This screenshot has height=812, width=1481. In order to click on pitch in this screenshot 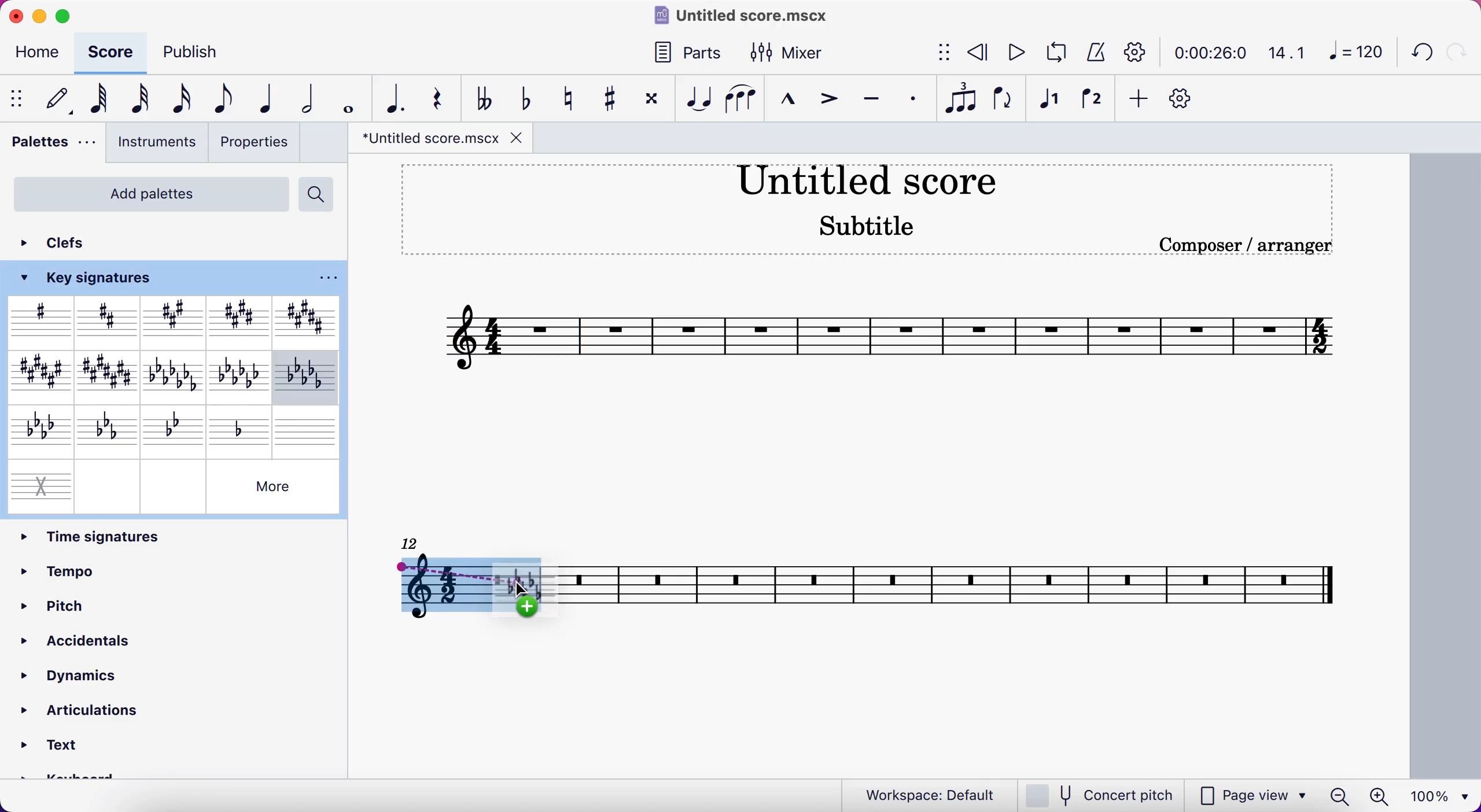, I will do `click(116, 604)`.